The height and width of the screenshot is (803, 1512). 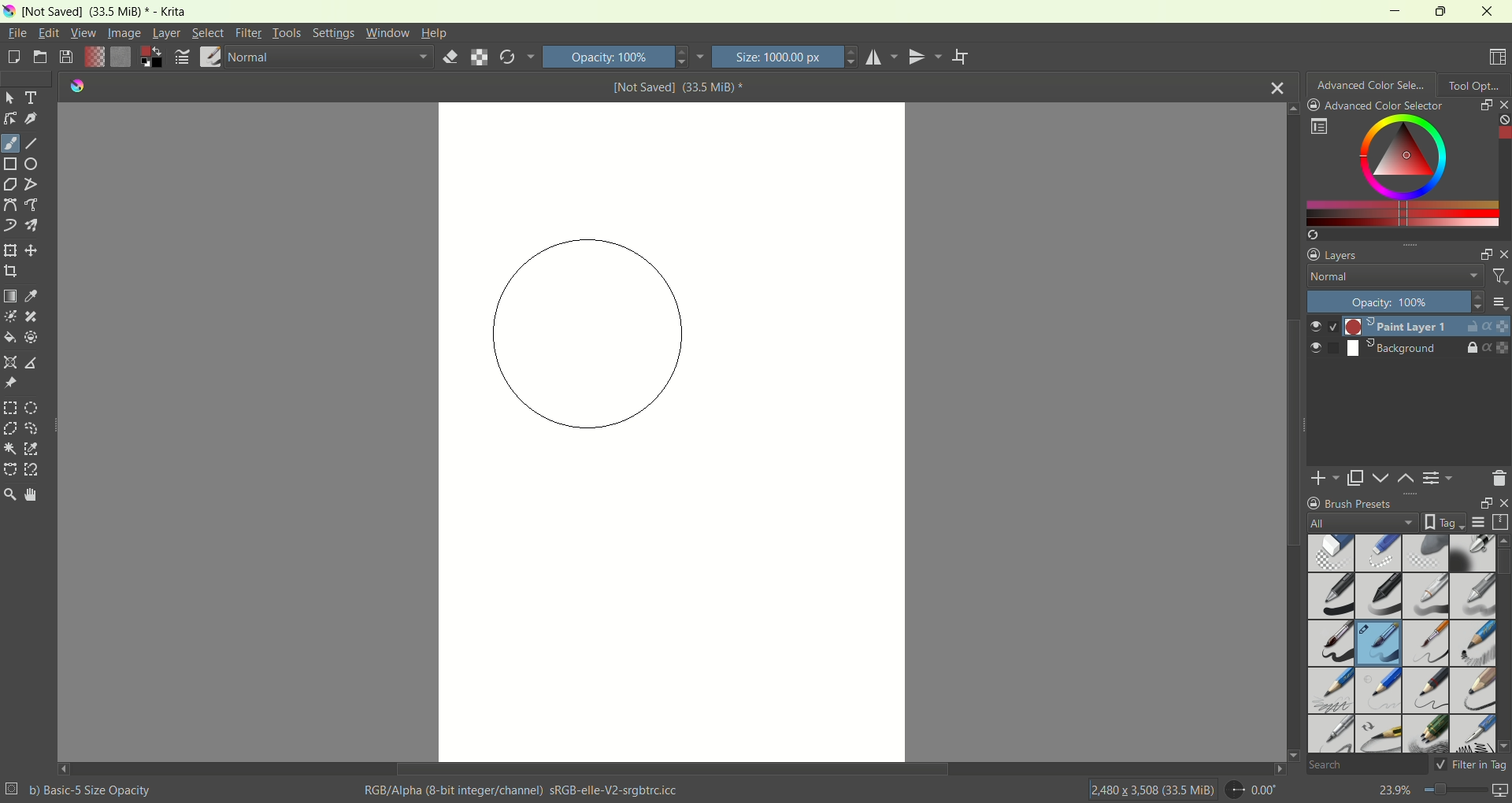 What do you see at coordinates (33, 470) in the screenshot?
I see `magnetic curve selection` at bounding box center [33, 470].